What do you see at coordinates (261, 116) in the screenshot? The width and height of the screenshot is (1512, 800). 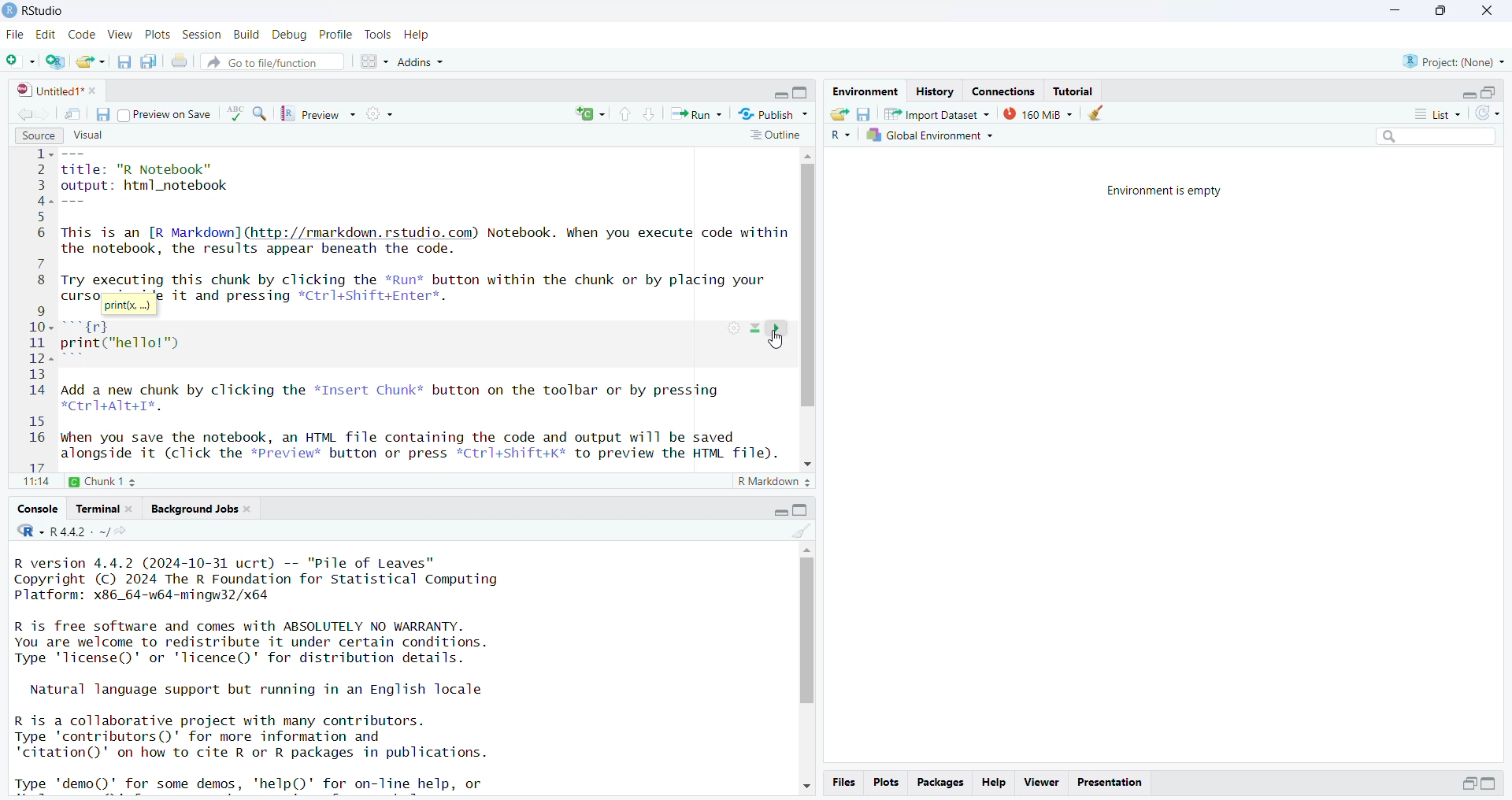 I see `find/replace` at bounding box center [261, 116].